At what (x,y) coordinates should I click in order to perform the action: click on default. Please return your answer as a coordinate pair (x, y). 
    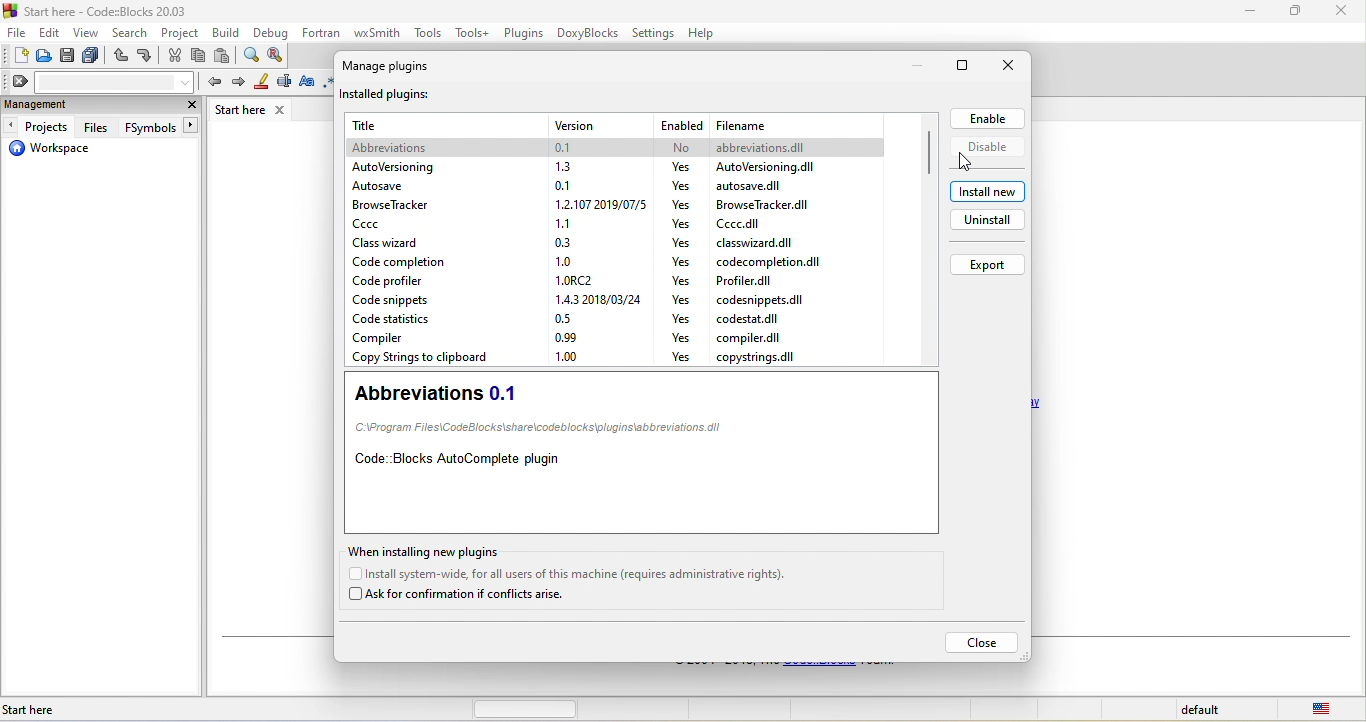
    Looking at the image, I should click on (1203, 711).